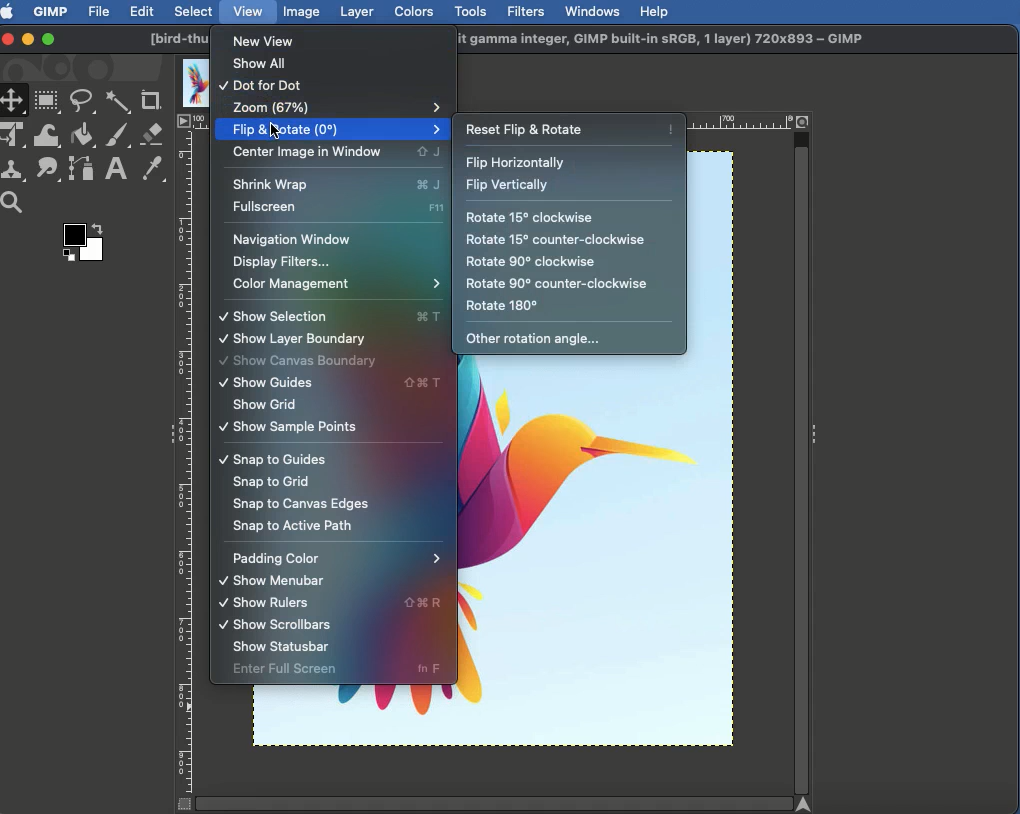 The height and width of the screenshot is (814, 1020). Describe the element at coordinates (533, 340) in the screenshot. I see `Other rotation angle ` at that location.